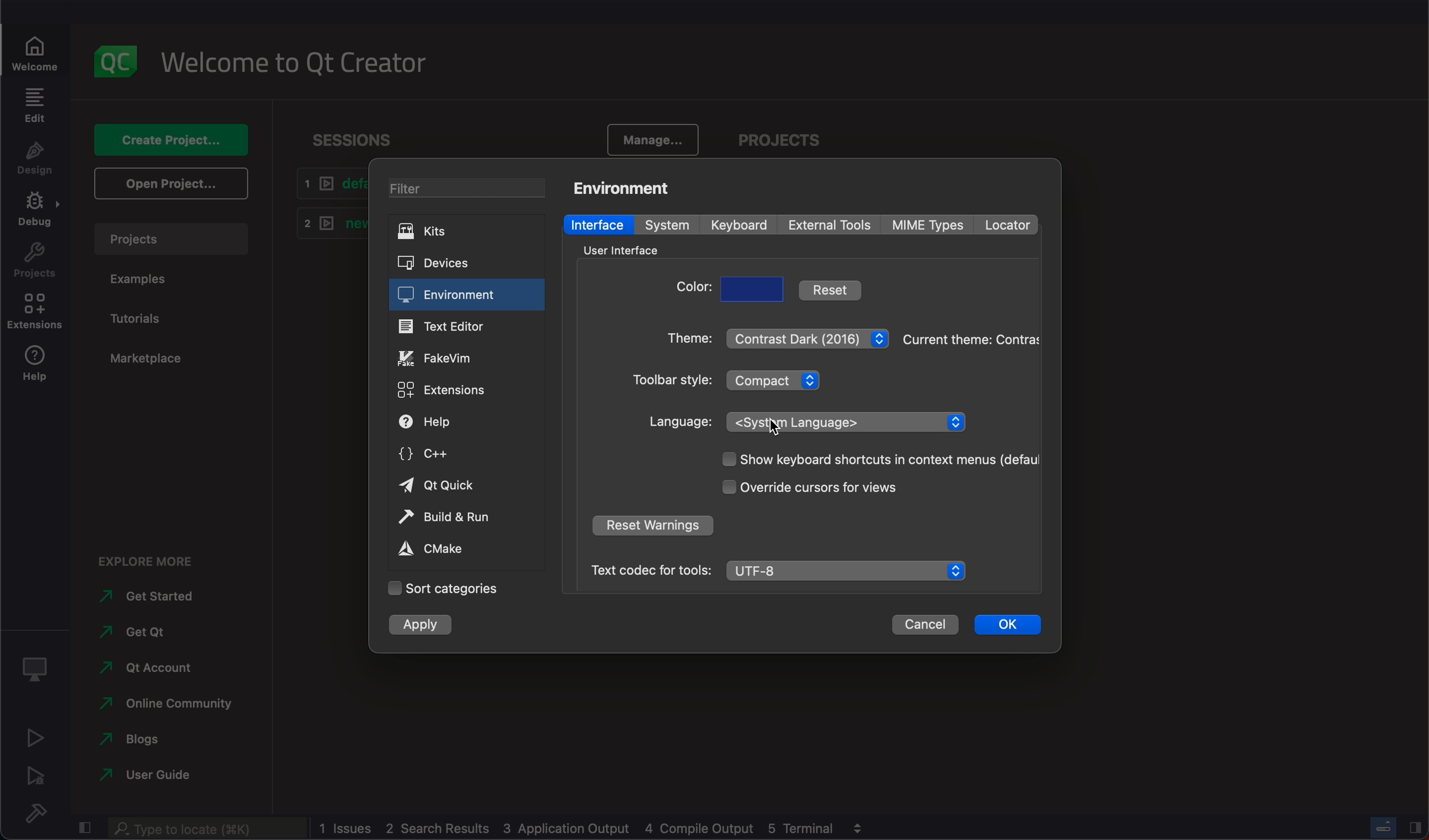 This screenshot has height=840, width=1429. I want to click on tutorials, so click(145, 315).